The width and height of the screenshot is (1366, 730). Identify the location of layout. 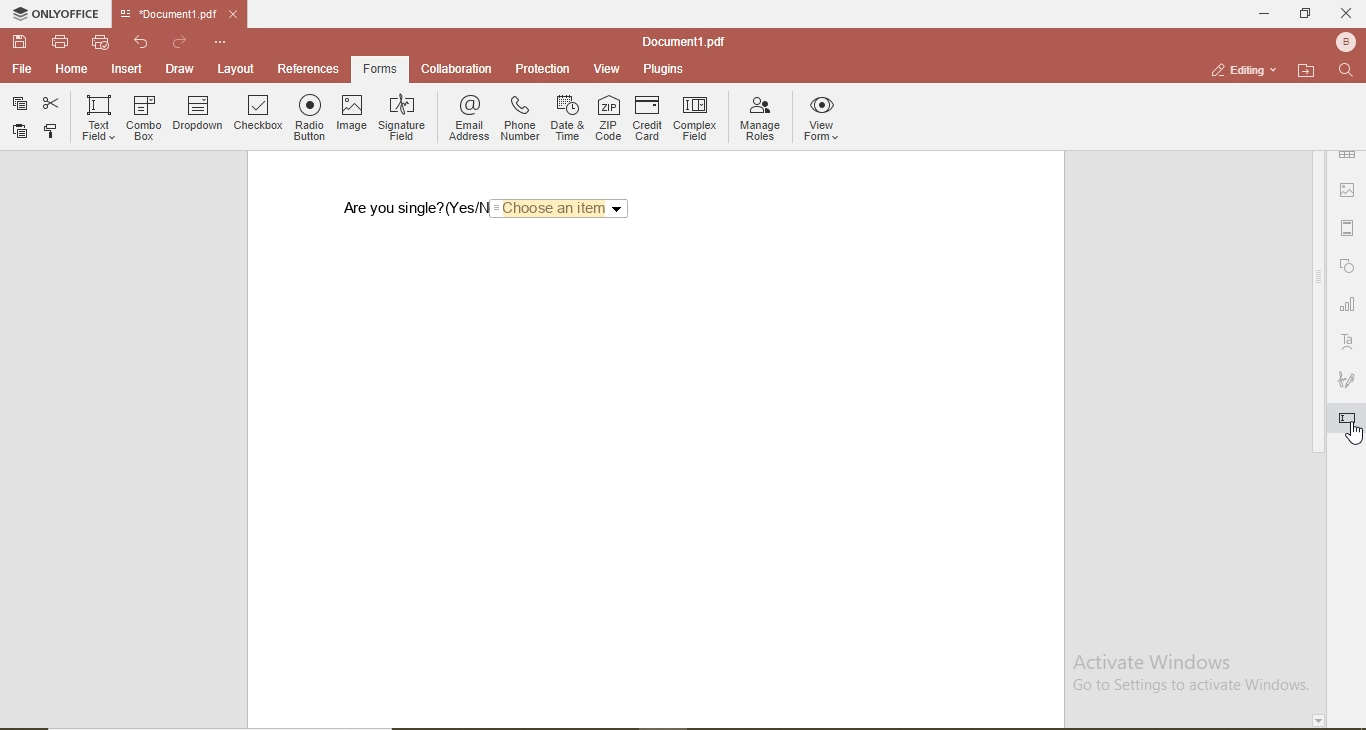
(233, 69).